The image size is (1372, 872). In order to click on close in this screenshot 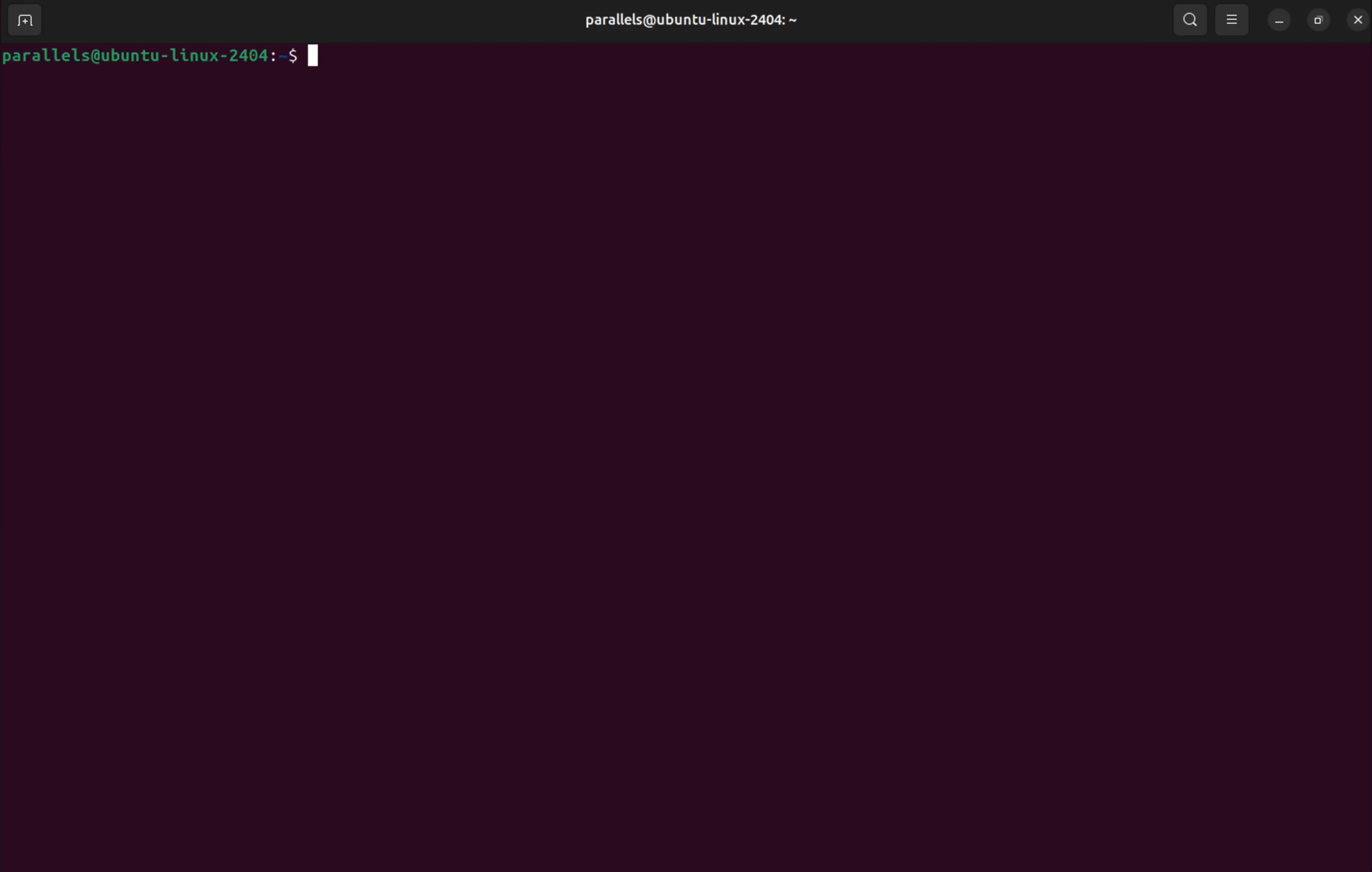, I will do `click(1356, 20)`.